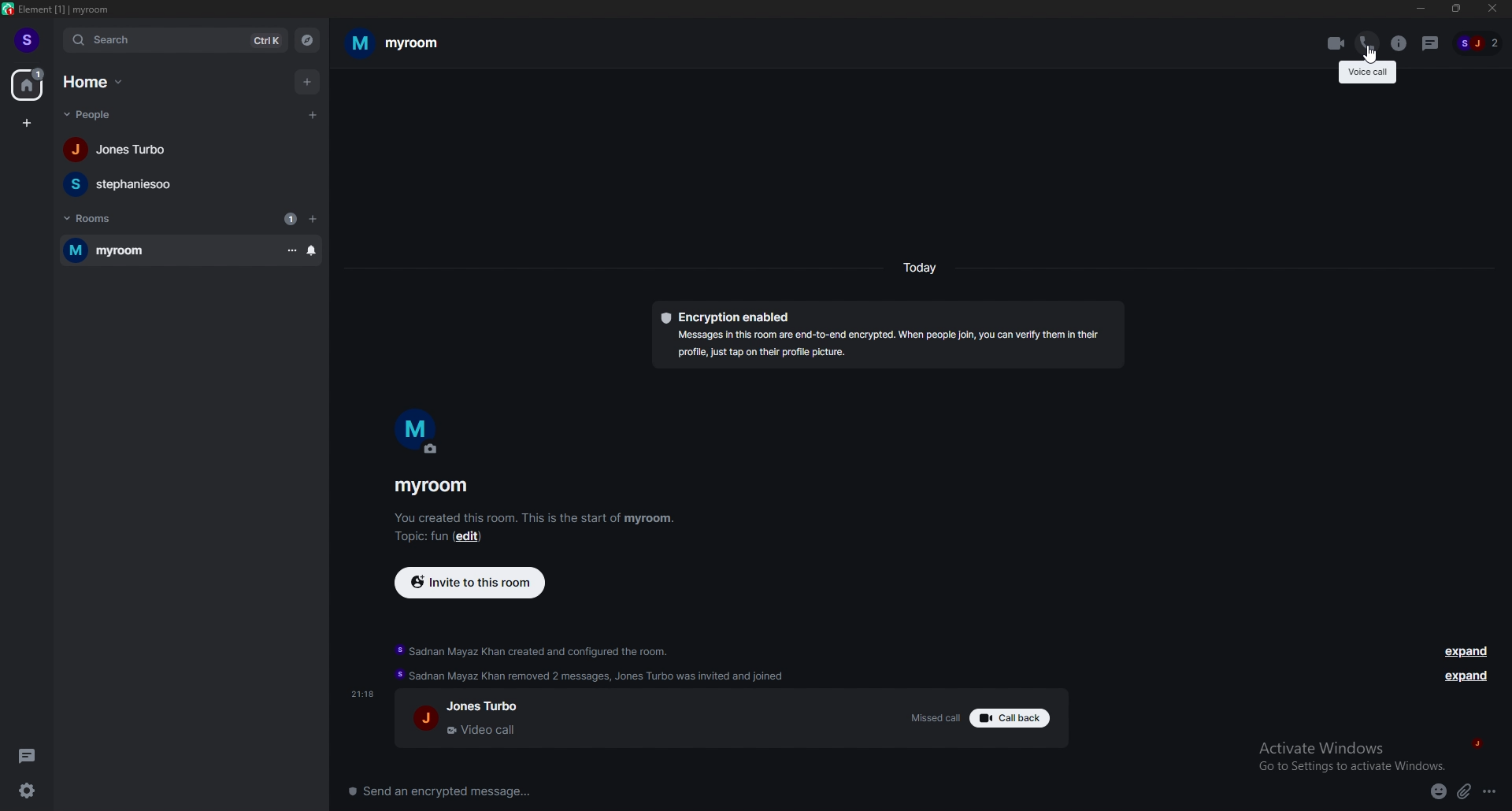 This screenshot has height=811, width=1512. I want to click on add room, so click(314, 220).